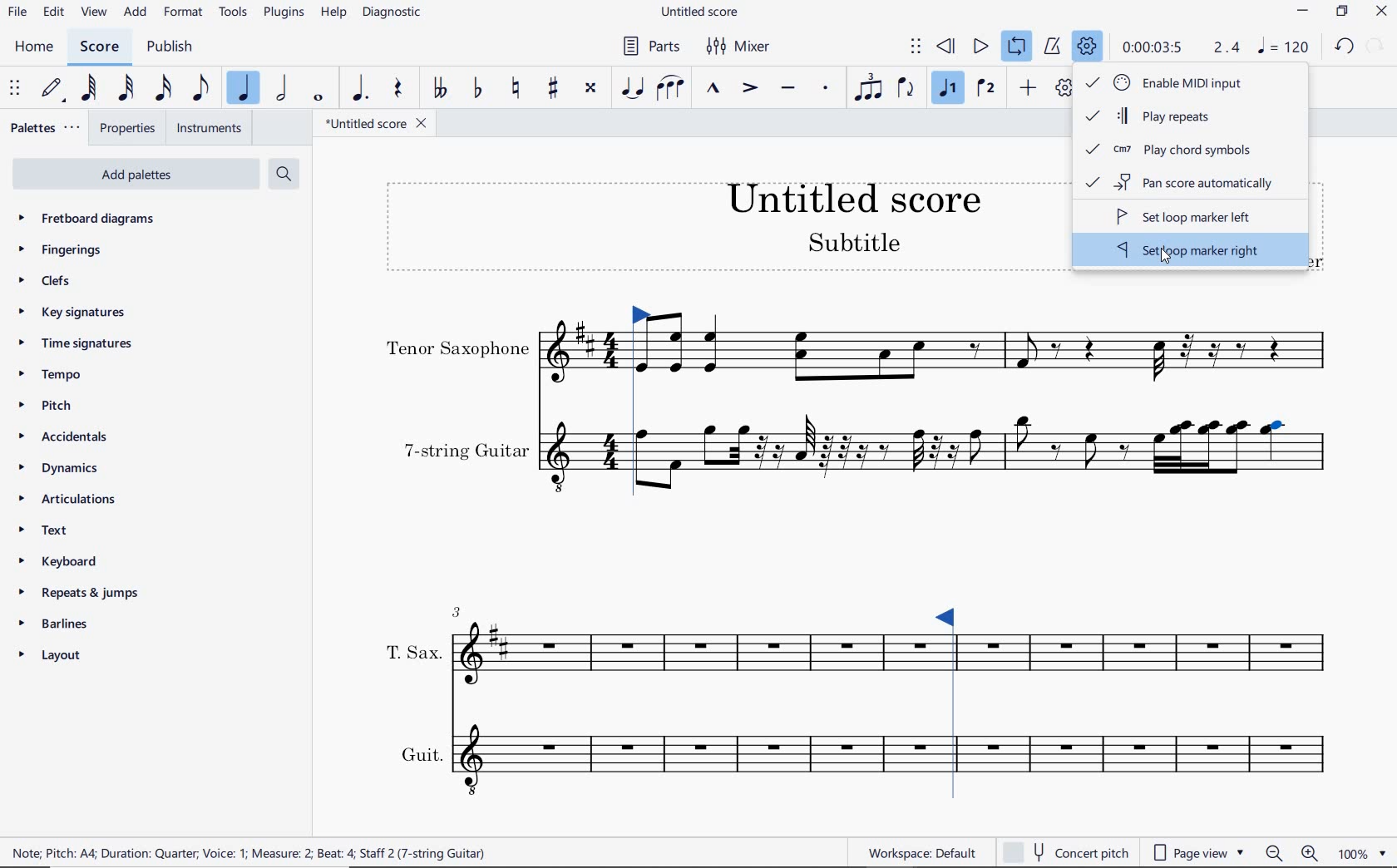  What do you see at coordinates (1064, 851) in the screenshot?
I see `concert pitch` at bounding box center [1064, 851].